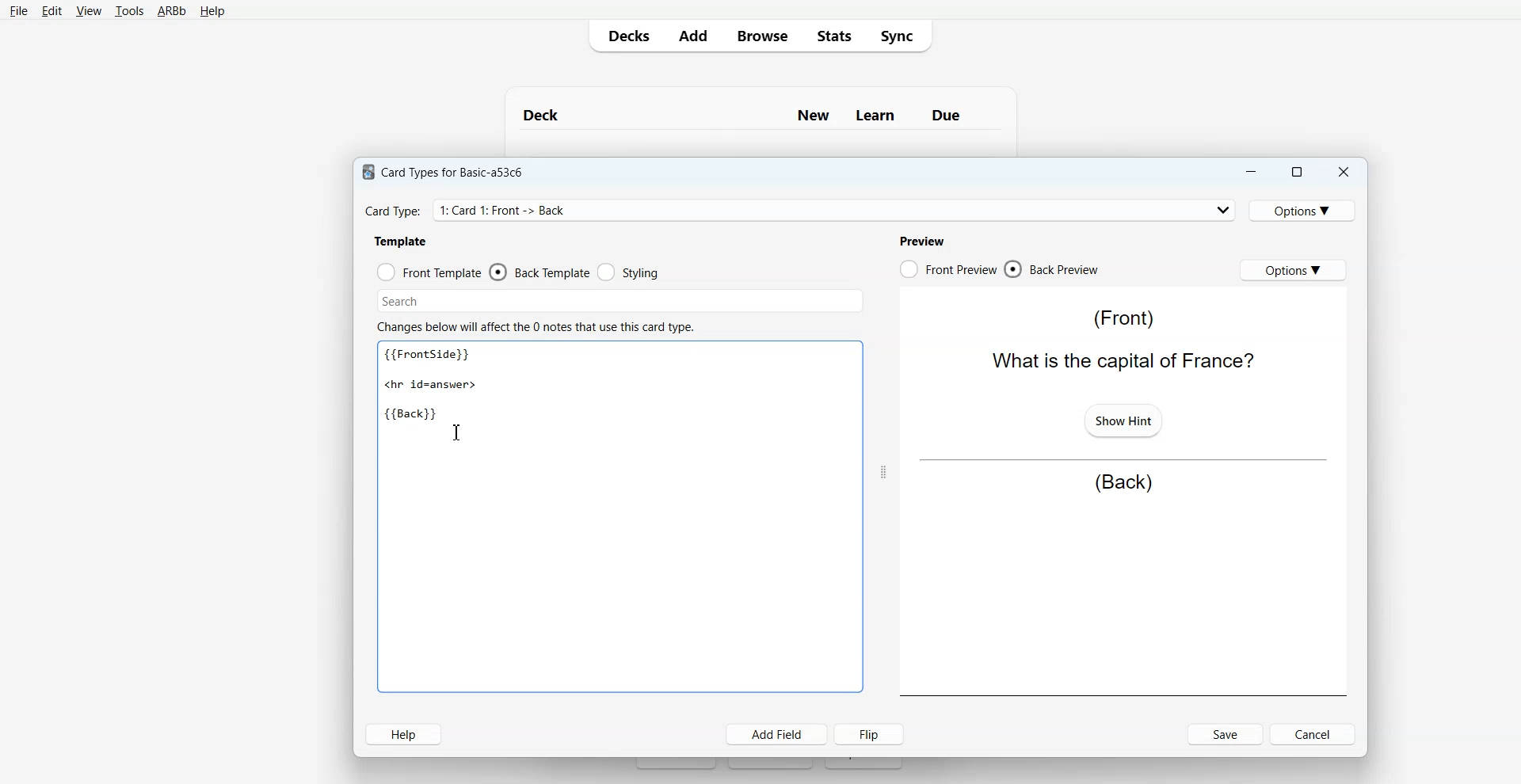 The height and width of the screenshot is (784, 1521). What do you see at coordinates (89, 11) in the screenshot?
I see `View` at bounding box center [89, 11].